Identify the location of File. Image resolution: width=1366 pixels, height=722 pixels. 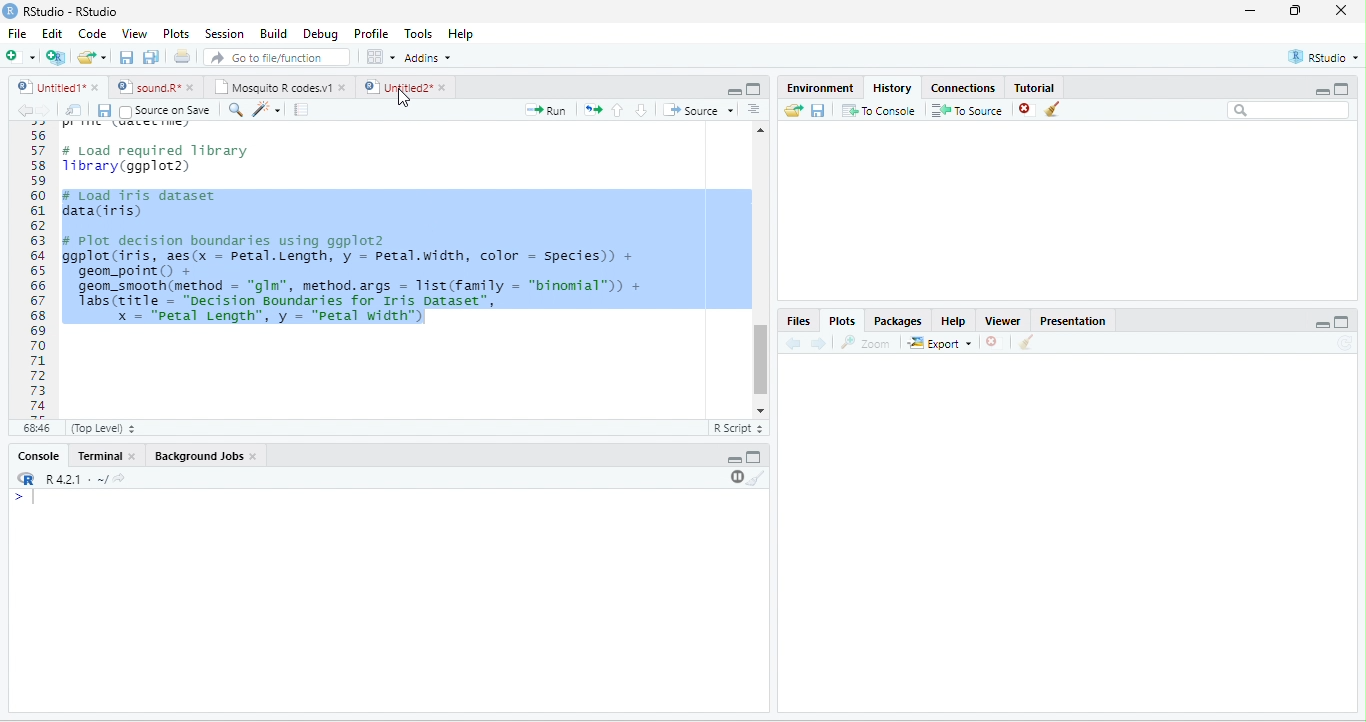
(17, 33).